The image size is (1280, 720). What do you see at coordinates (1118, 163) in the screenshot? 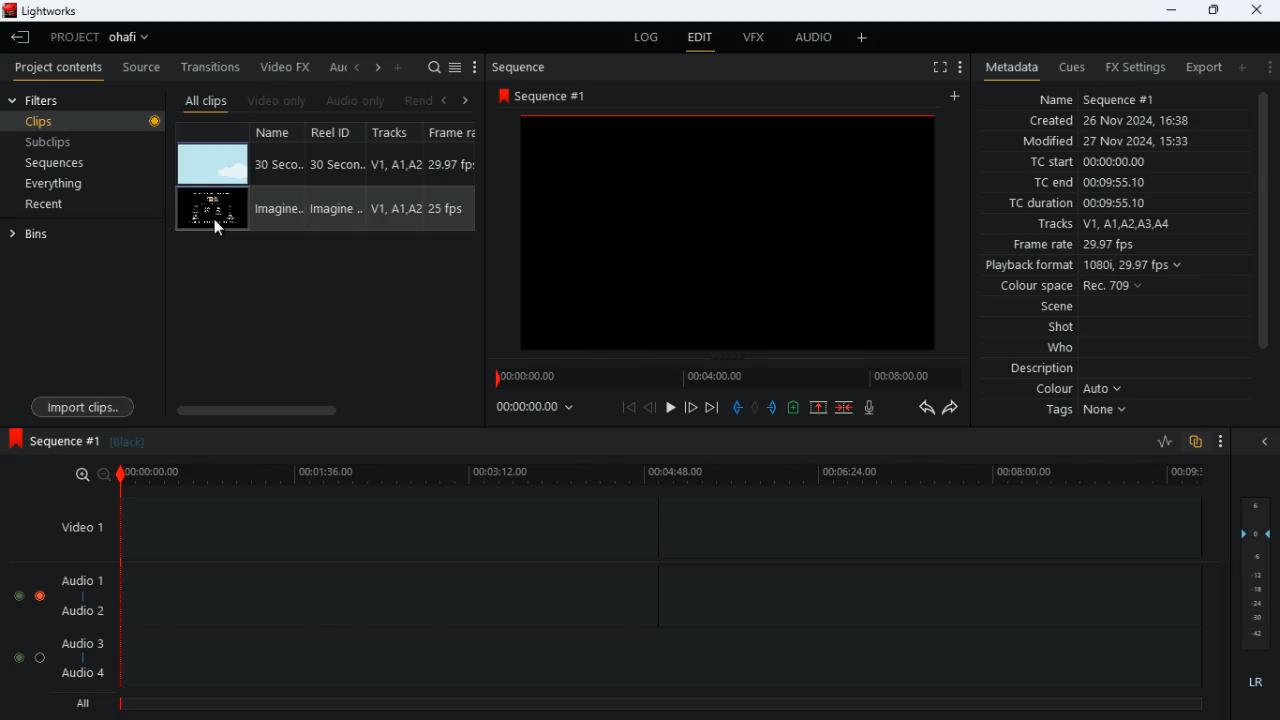
I see `tc start` at bounding box center [1118, 163].